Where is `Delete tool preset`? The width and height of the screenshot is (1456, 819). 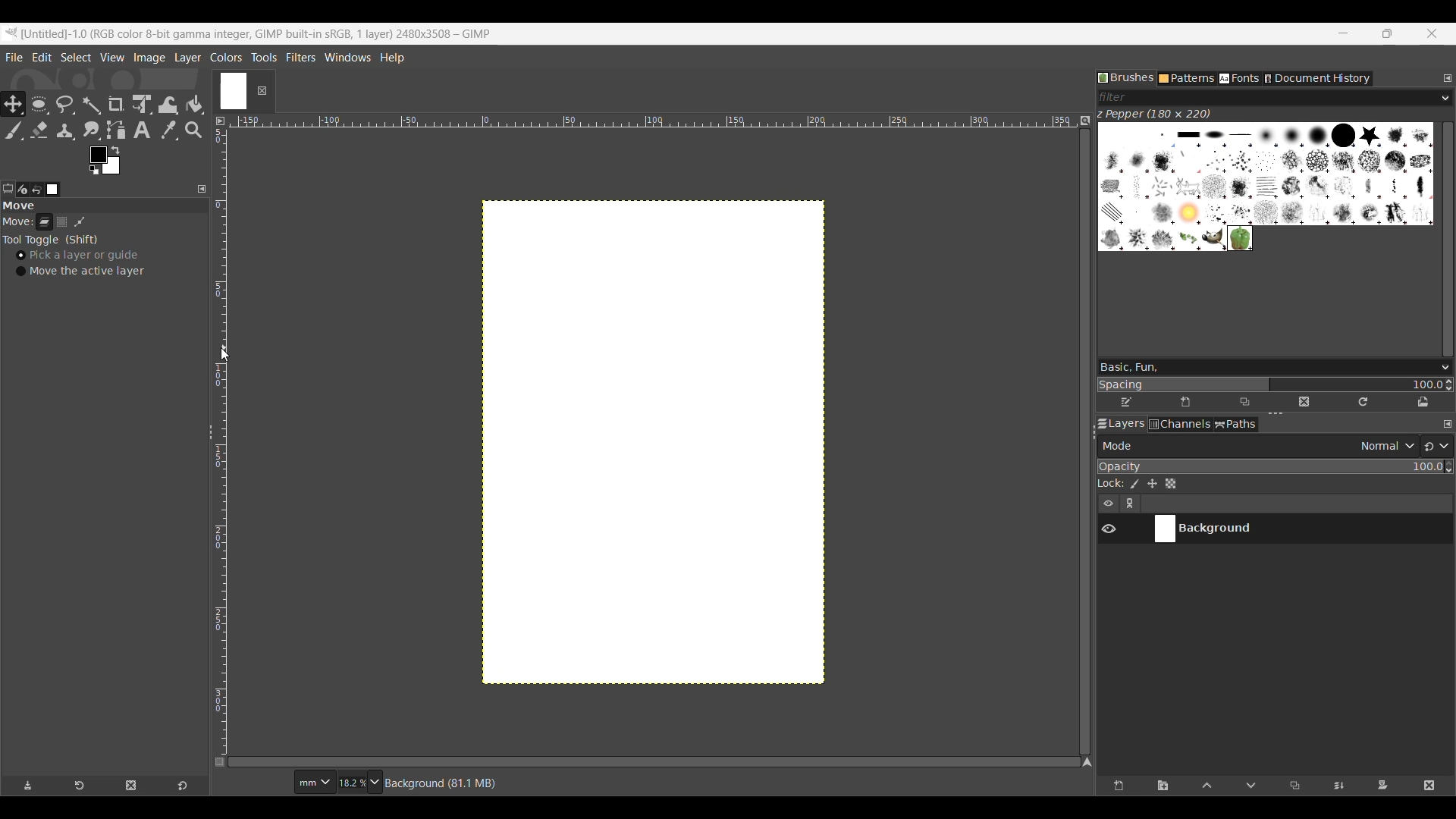
Delete tool preset is located at coordinates (131, 786).